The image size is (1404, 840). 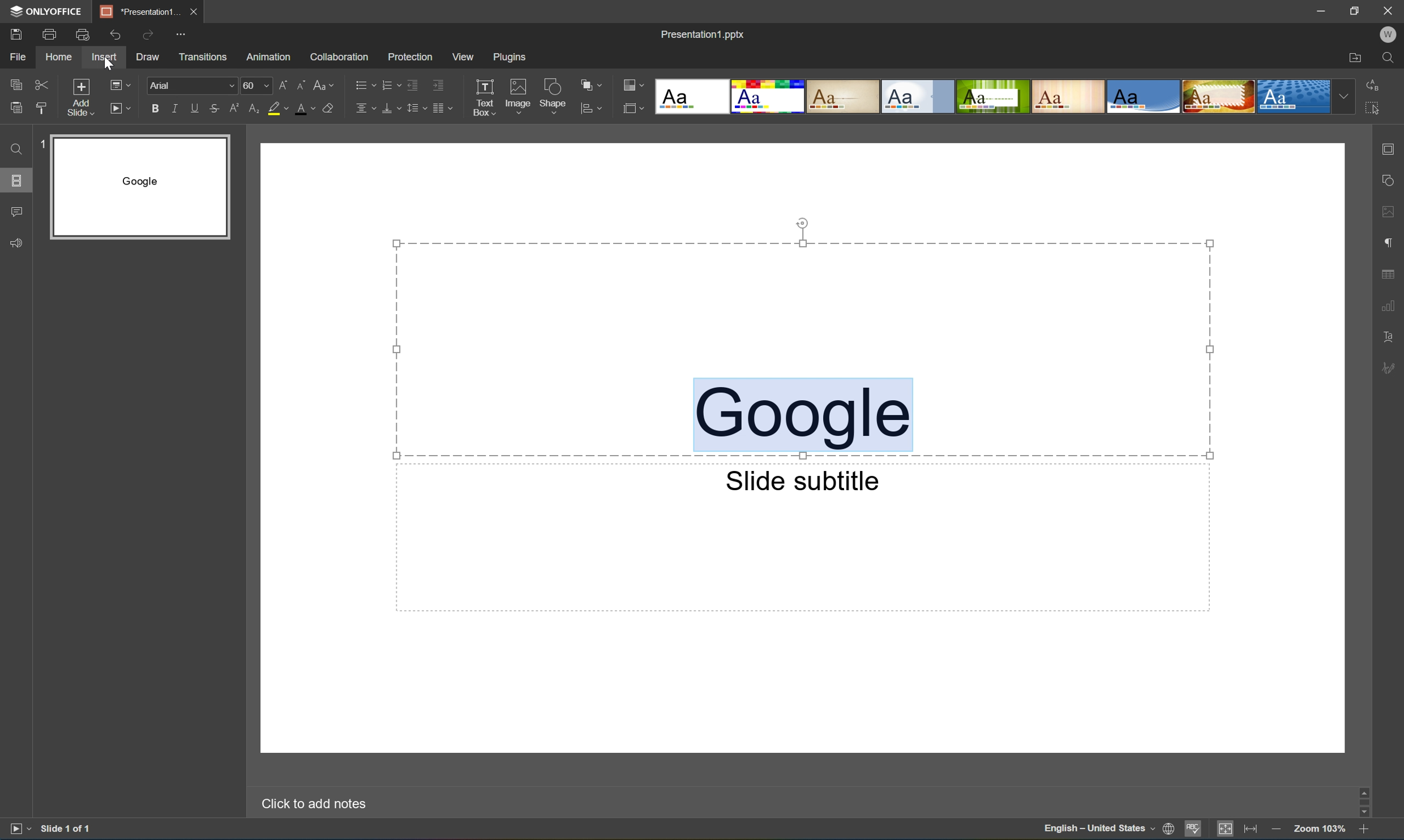 What do you see at coordinates (768, 96) in the screenshot?
I see `Basic` at bounding box center [768, 96].